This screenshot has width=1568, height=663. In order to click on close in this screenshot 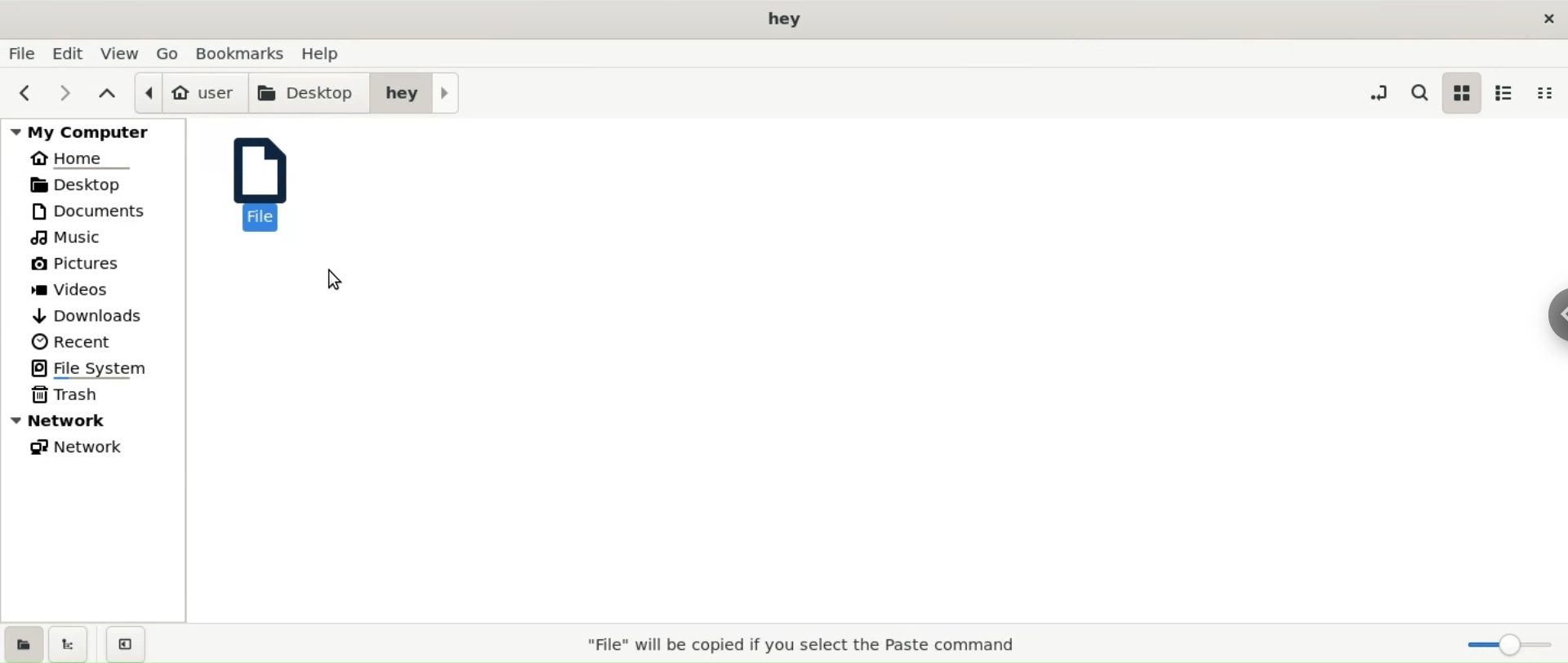, I will do `click(1546, 16)`.